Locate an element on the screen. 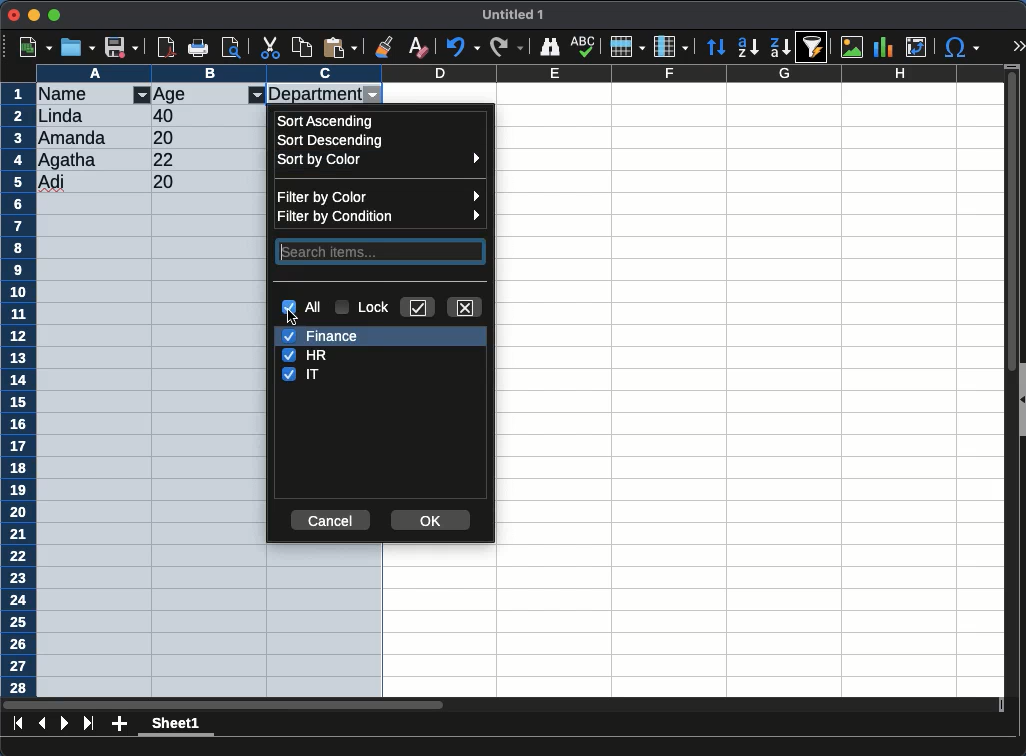 The image size is (1026, 756). amanda is located at coordinates (74, 137).